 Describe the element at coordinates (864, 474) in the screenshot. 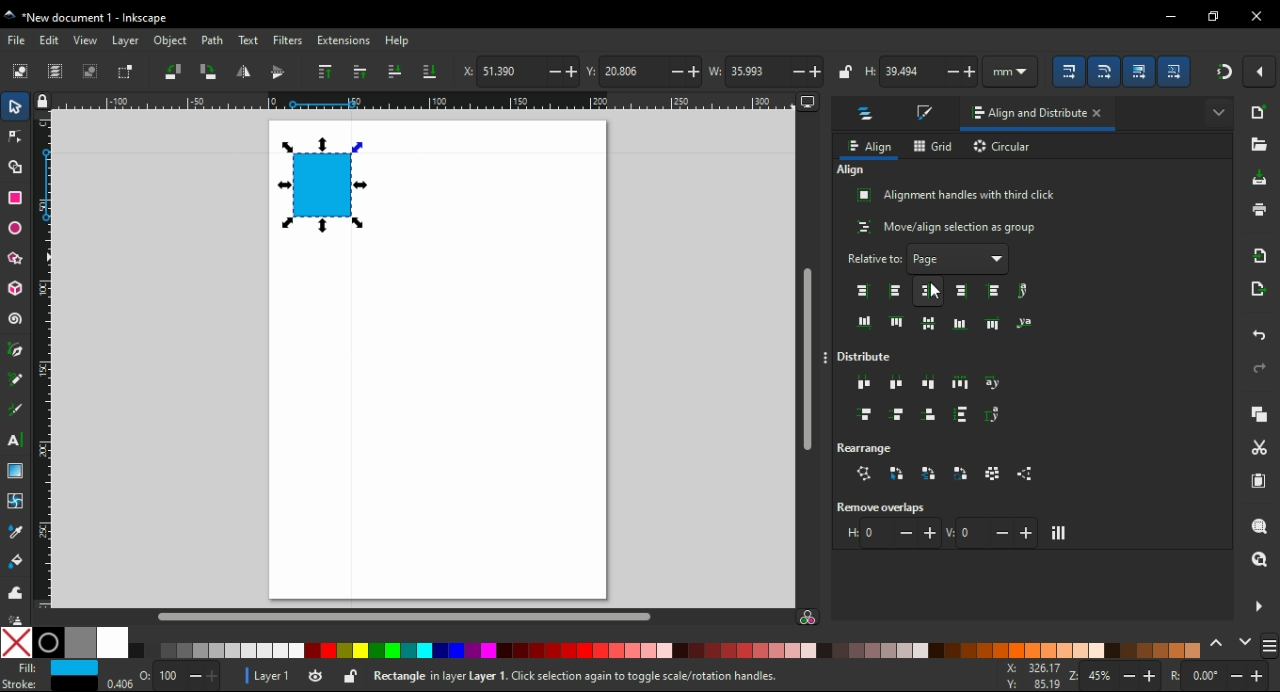

I see `nicely arrange selected connector network` at that location.